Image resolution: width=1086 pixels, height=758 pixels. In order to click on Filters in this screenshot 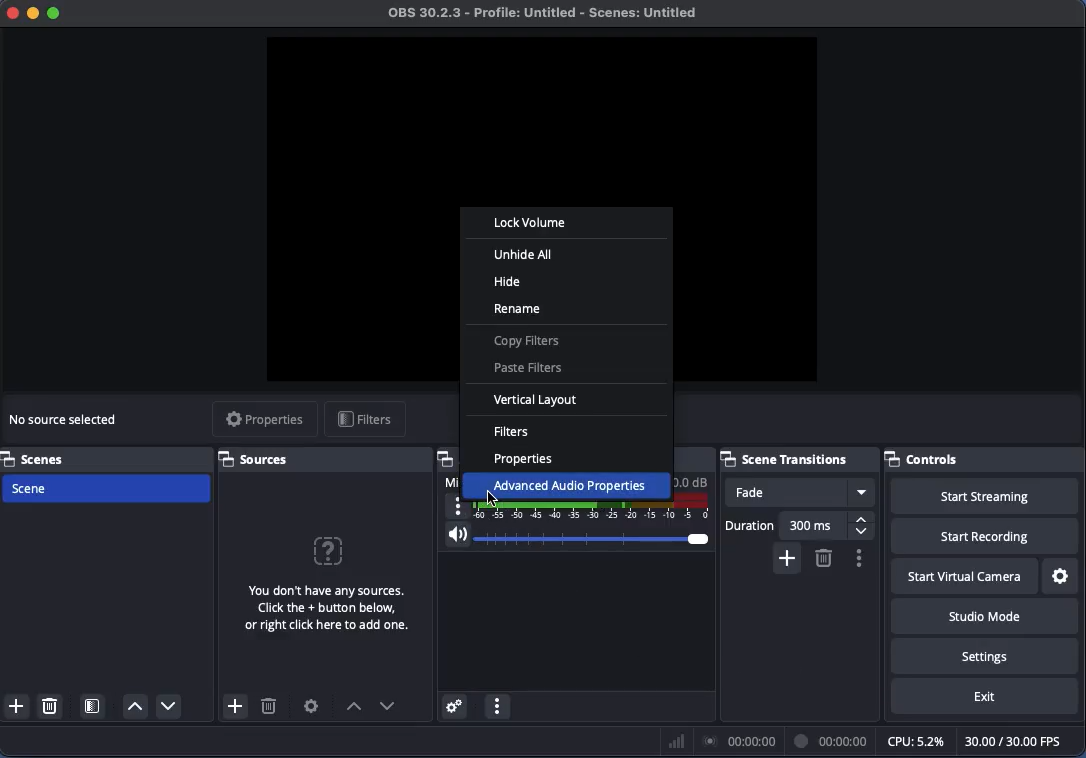, I will do `click(512, 431)`.